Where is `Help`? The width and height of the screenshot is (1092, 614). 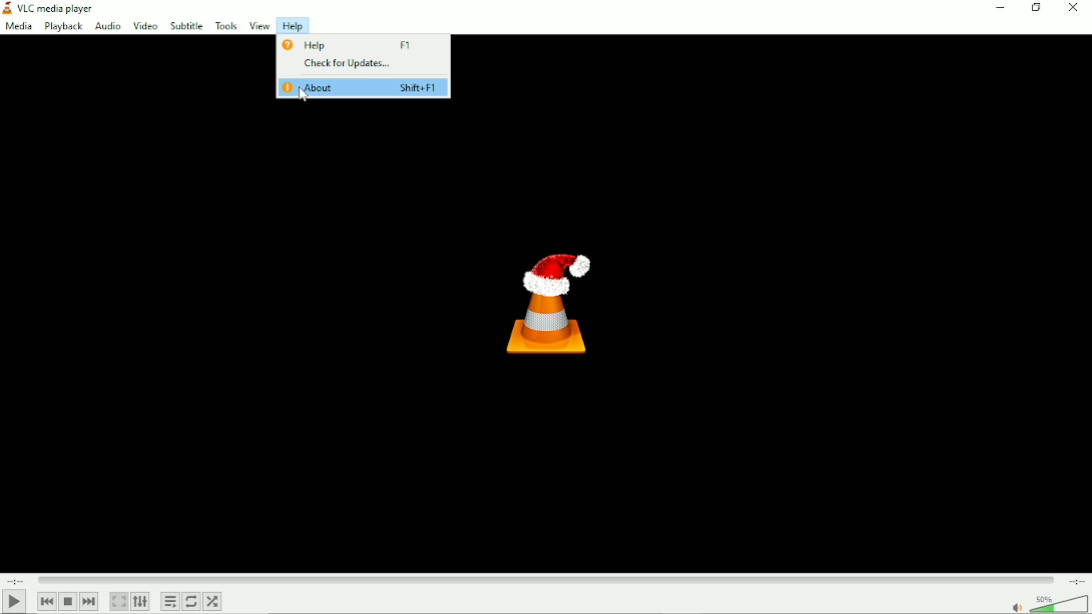
Help is located at coordinates (294, 26).